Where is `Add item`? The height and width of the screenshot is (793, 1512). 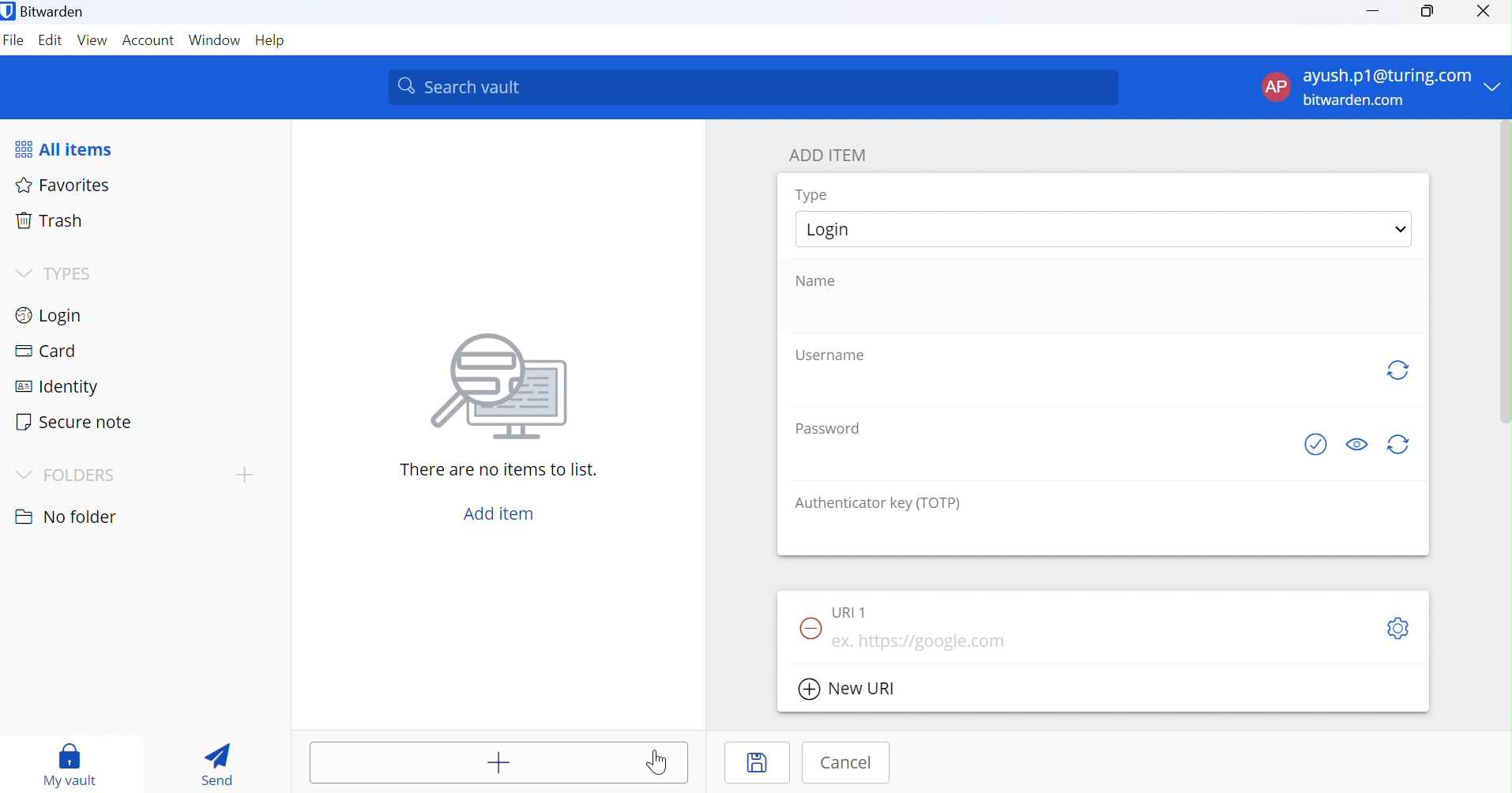
Add item is located at coordinates (498, 513).